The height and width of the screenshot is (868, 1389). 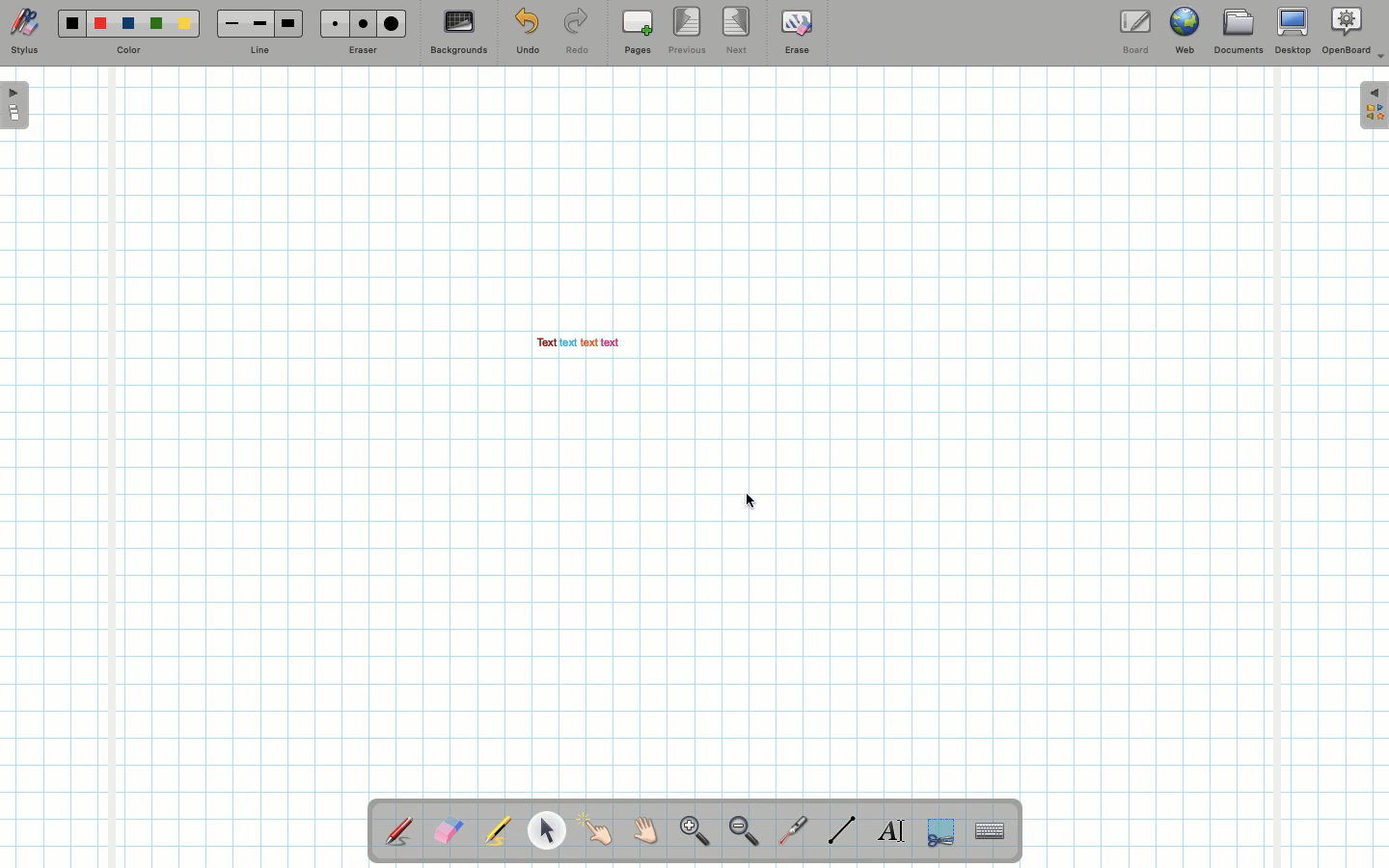 I want to click on Desktop, so click(x=1295, y=31).